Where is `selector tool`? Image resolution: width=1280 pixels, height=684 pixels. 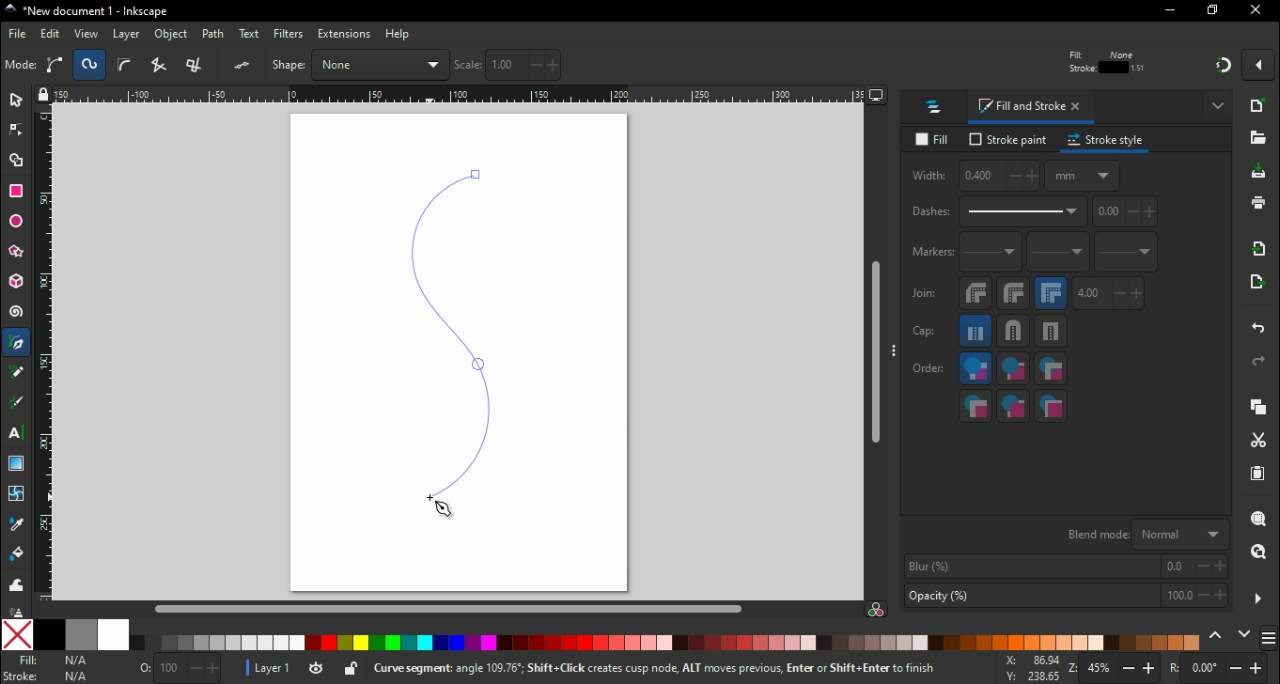
selector tool is located at coordinates (17, 104).